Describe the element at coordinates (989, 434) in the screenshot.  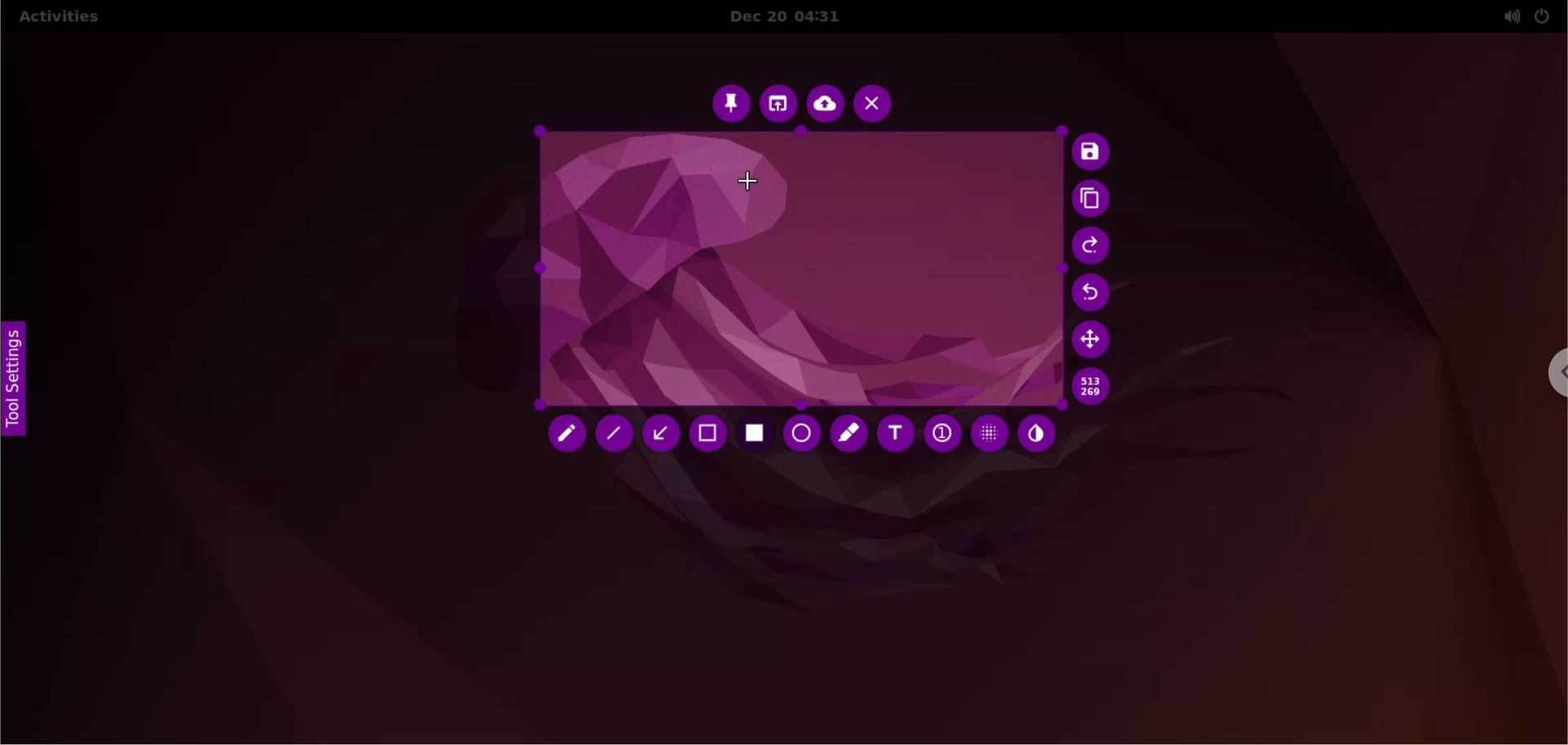
I see `pixelette` at that location.